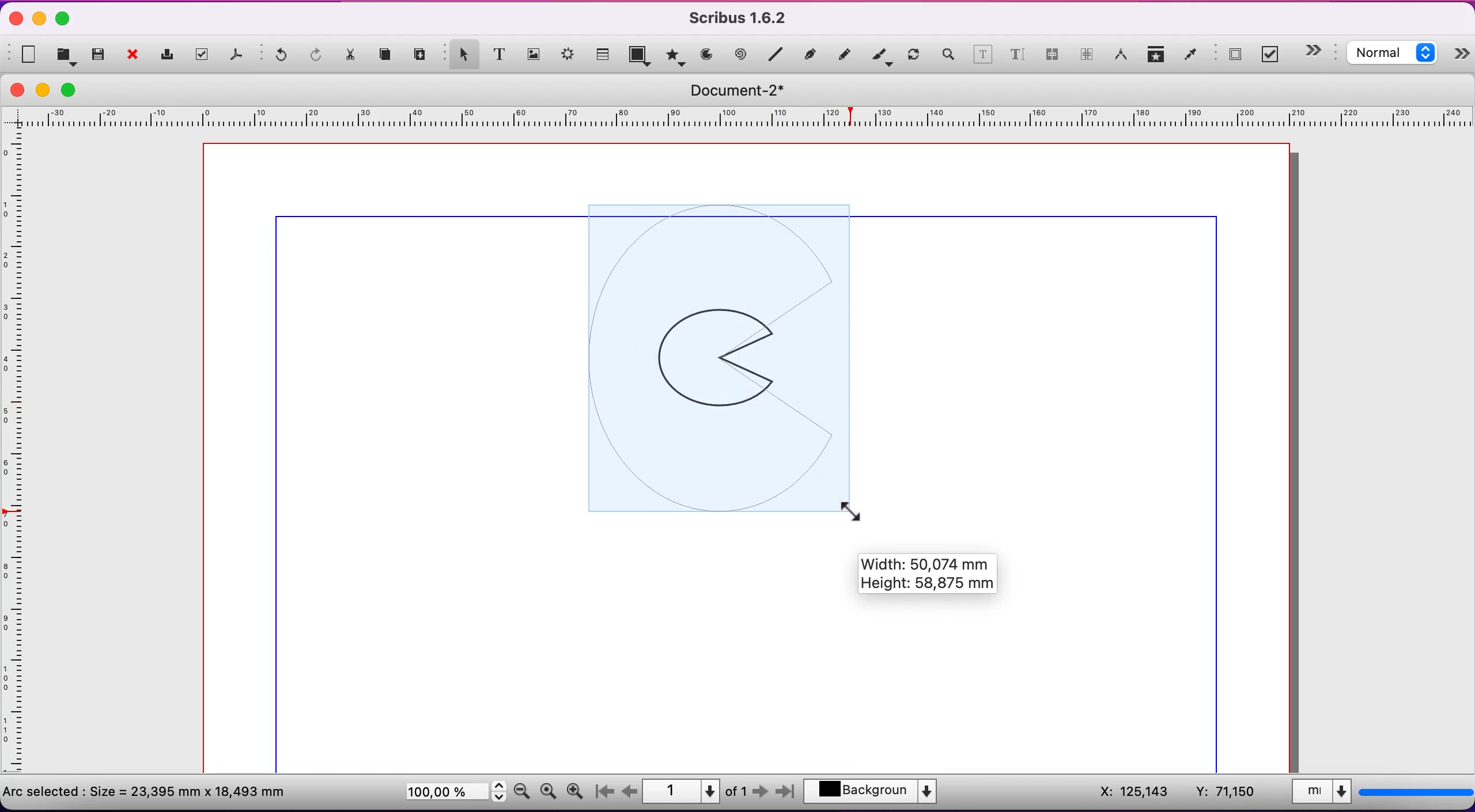  Describe the element at coordinates (742, 55) in the screenshot. I see `spiral` at that location.